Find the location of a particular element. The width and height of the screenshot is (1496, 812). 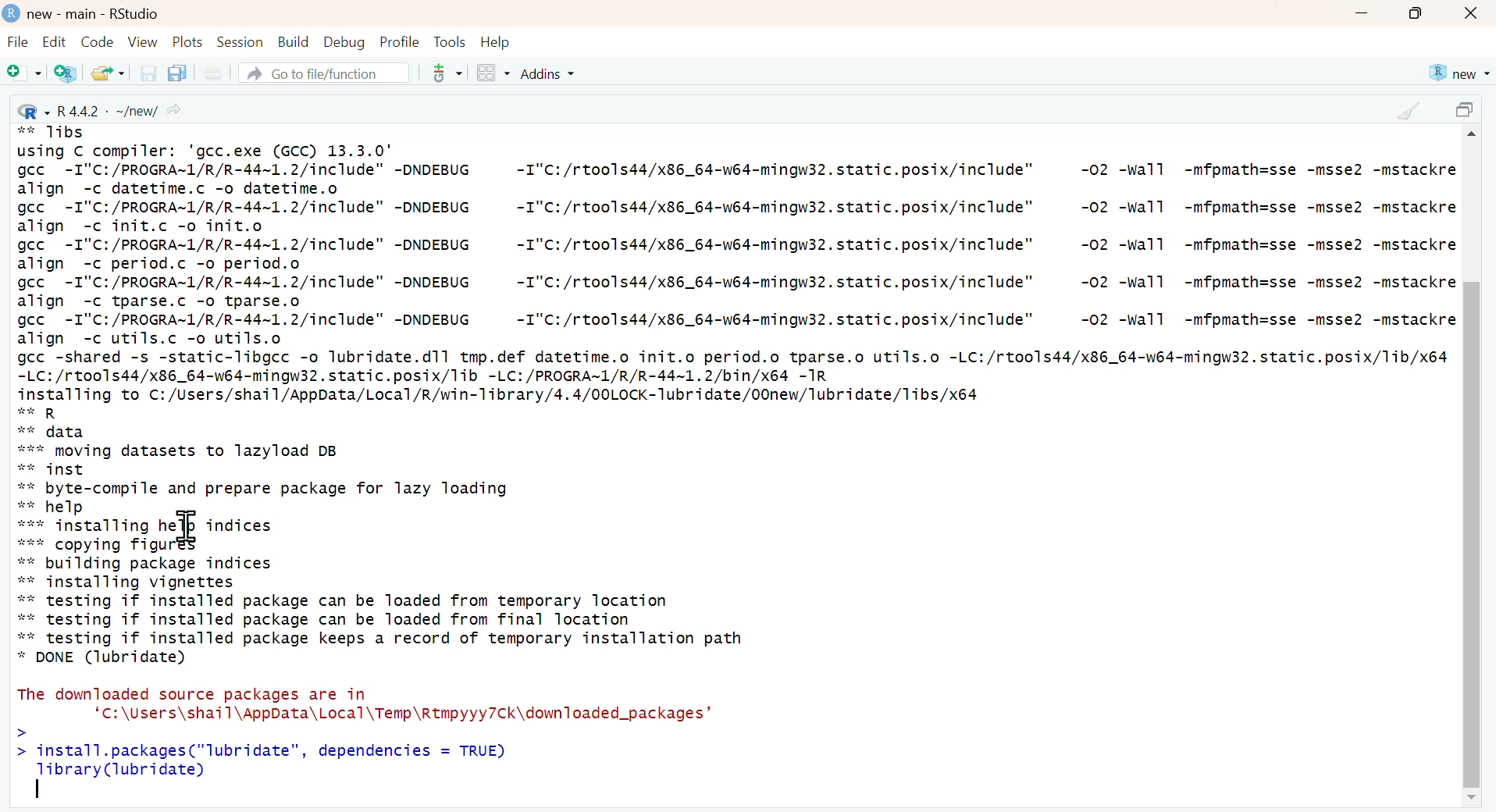

** R** data*** moving datasets to lazyload DB“* inst** pyte-compile and prepare package for lazy loading** help**% installing help indices#*% copying figures** pbuilding package indices** installing vignettes** testing if installed package can be loaded from temporary location** testing if installed package can be loaded from final location** testing if installed package keeps a record of temporary installation path* DONE (lubridate) is located at coordinates (380, 536).